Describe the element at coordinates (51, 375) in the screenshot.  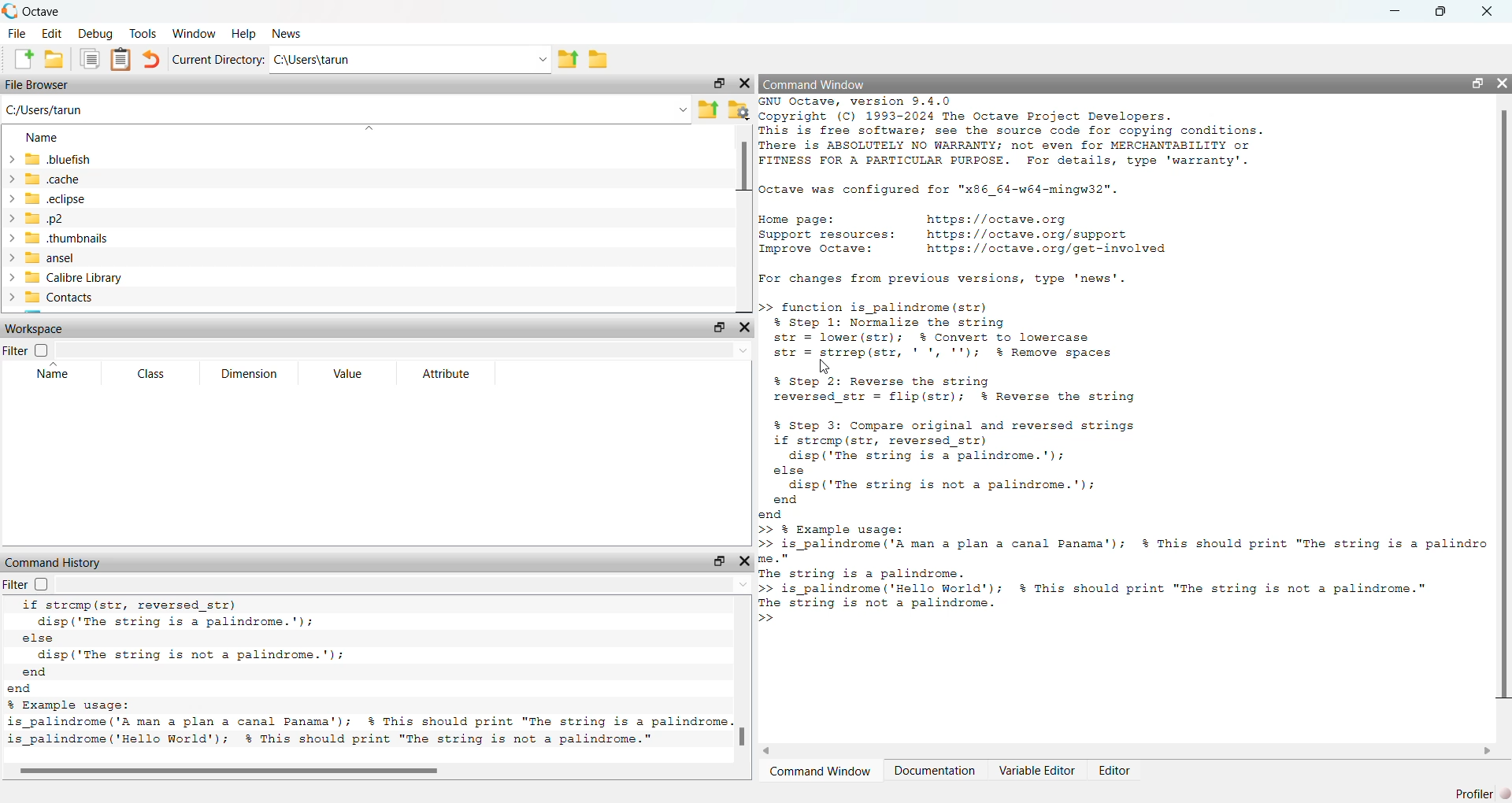
I see `name` at that location.